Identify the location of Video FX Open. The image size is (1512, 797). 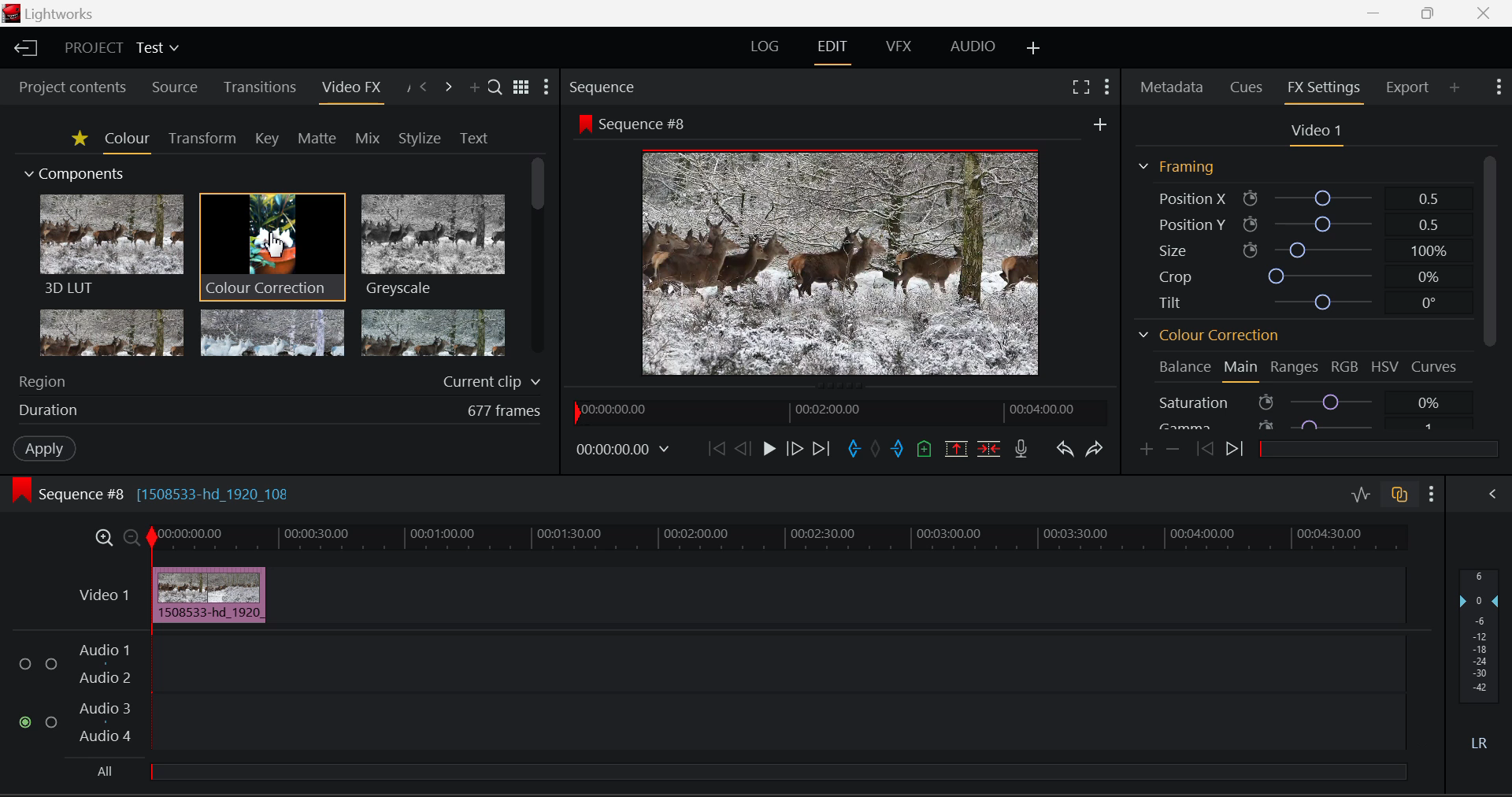
(353, 91).